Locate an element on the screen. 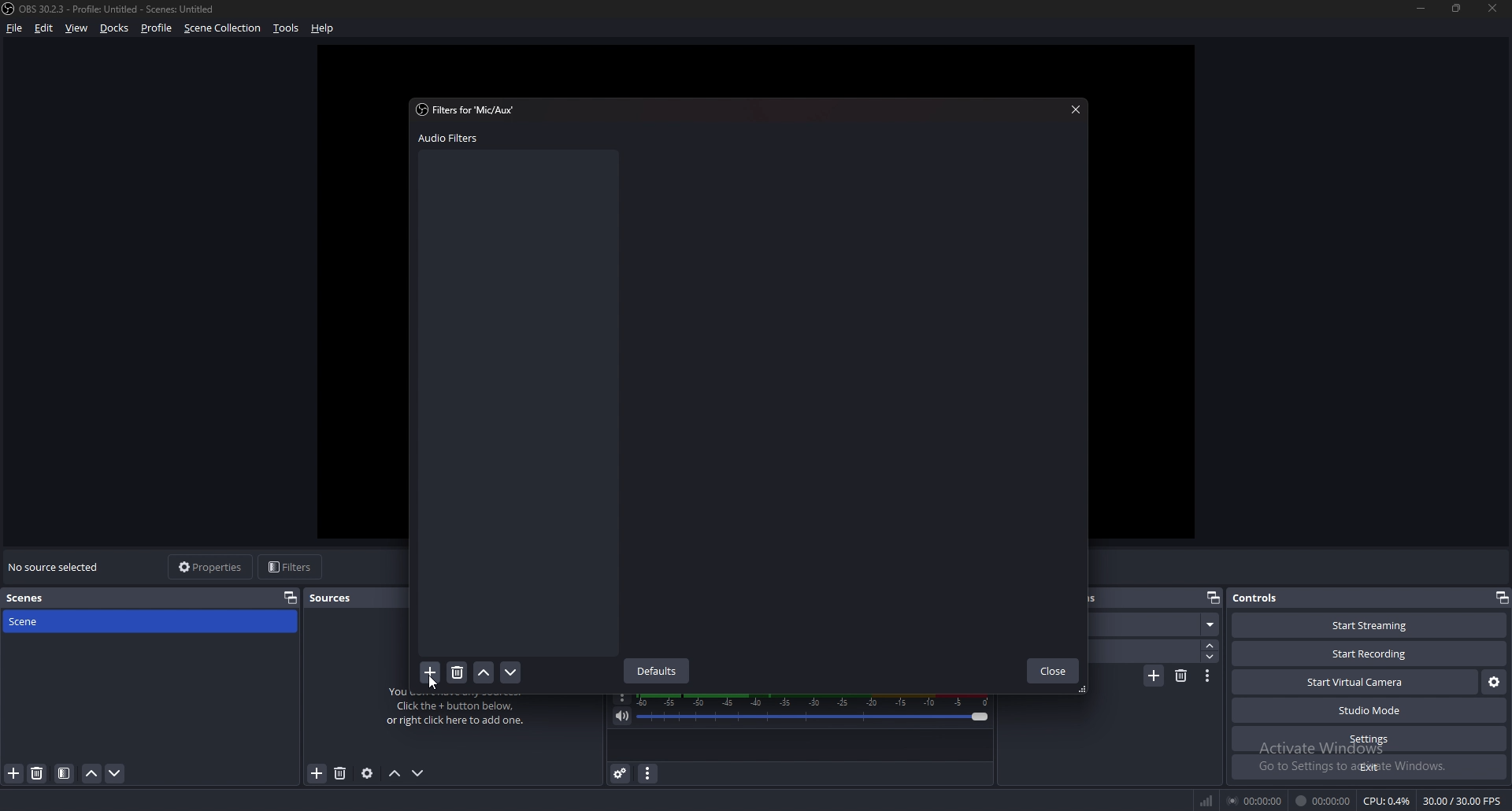 This screenshot has height=811, width=1512. no source selected is located at coordinates (55, 566).